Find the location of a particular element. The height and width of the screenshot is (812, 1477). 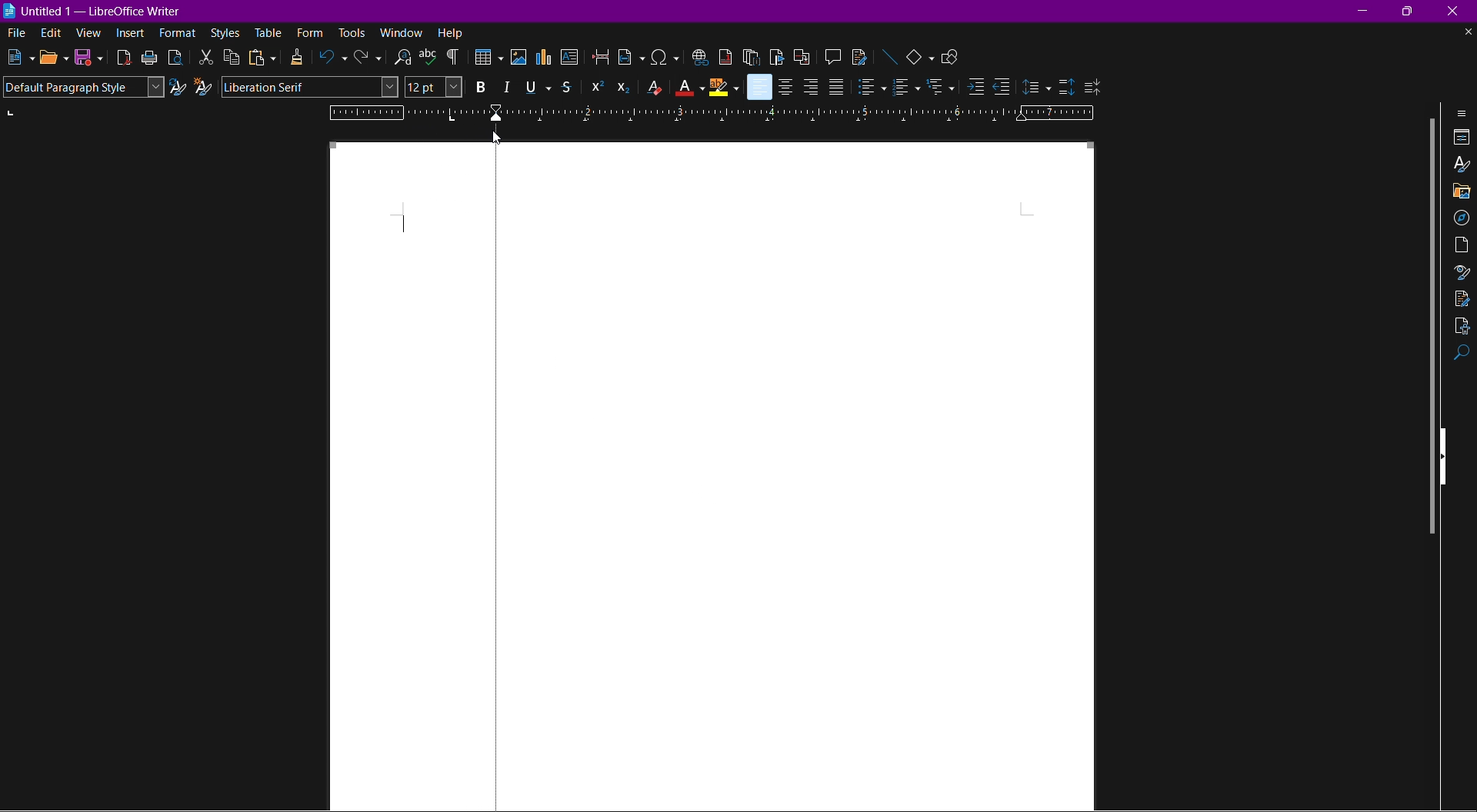

Insert Text Box is located at coordinates (571, 59).